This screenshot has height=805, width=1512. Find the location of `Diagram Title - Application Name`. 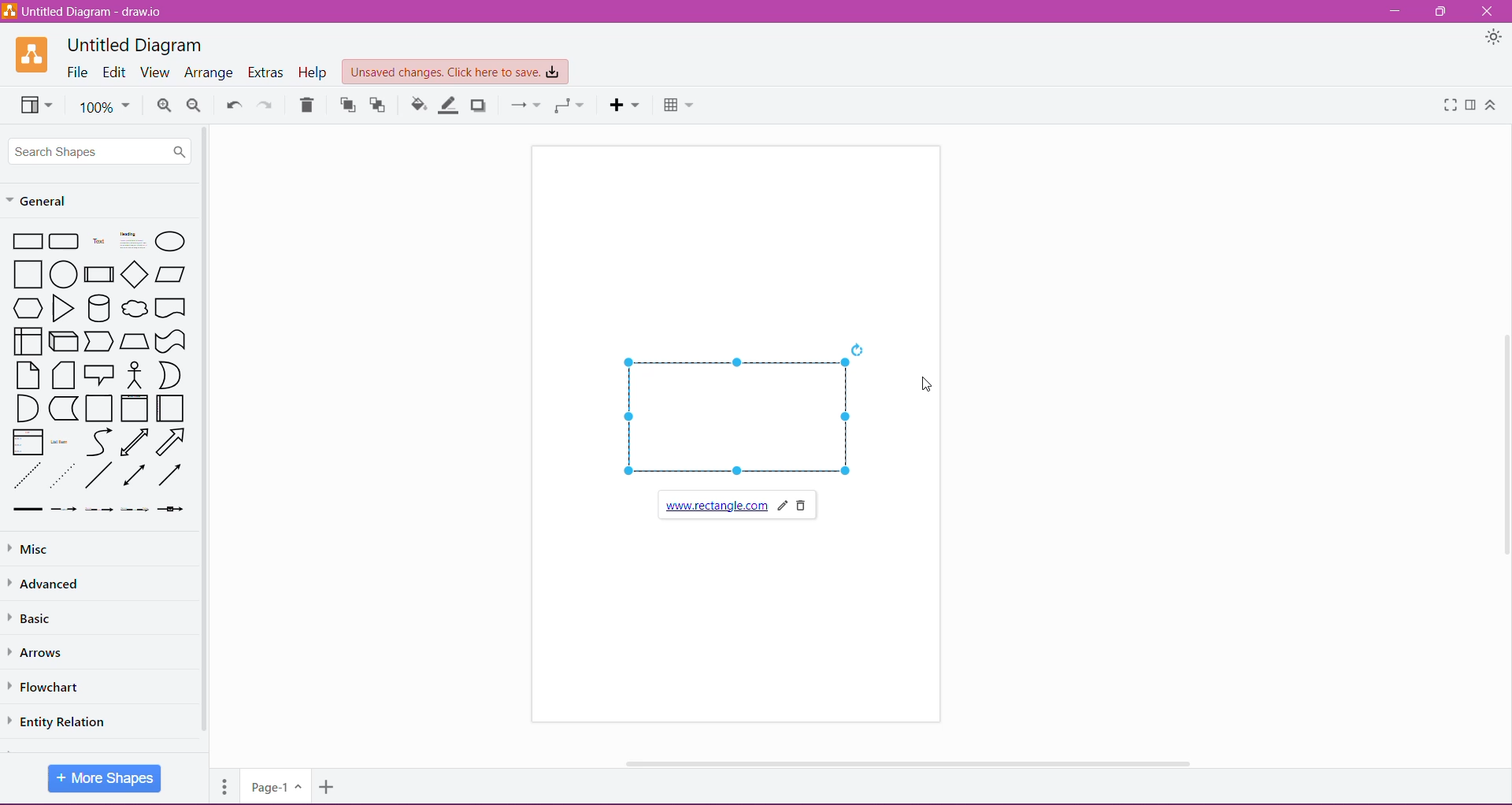

Diagram Title - Application Name is located at coordinates (84, 11).